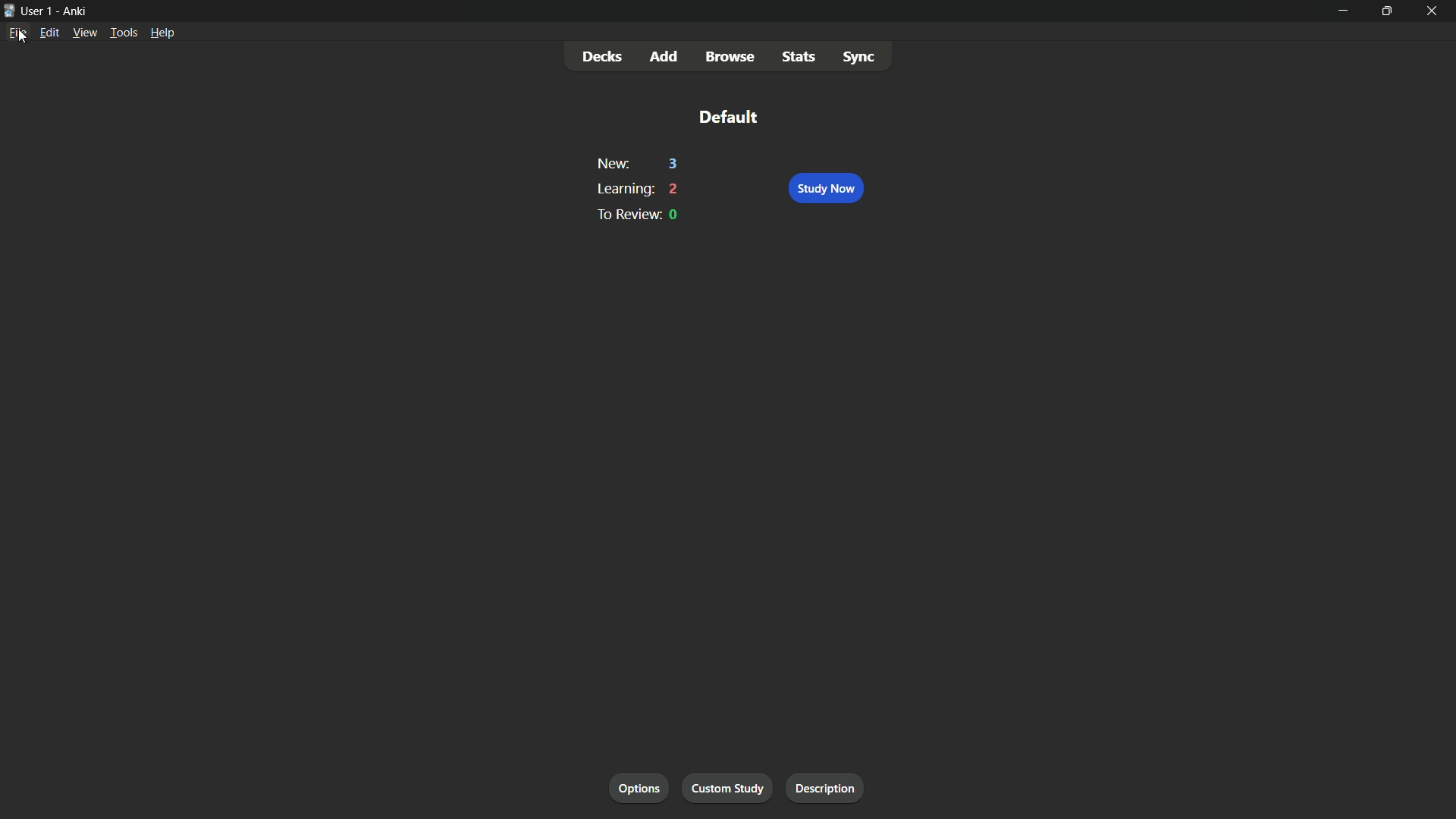 The image size is (1456, 819). Describe the element at coordinates (85, 33) in the screenshot. I see `view menu` at that location.